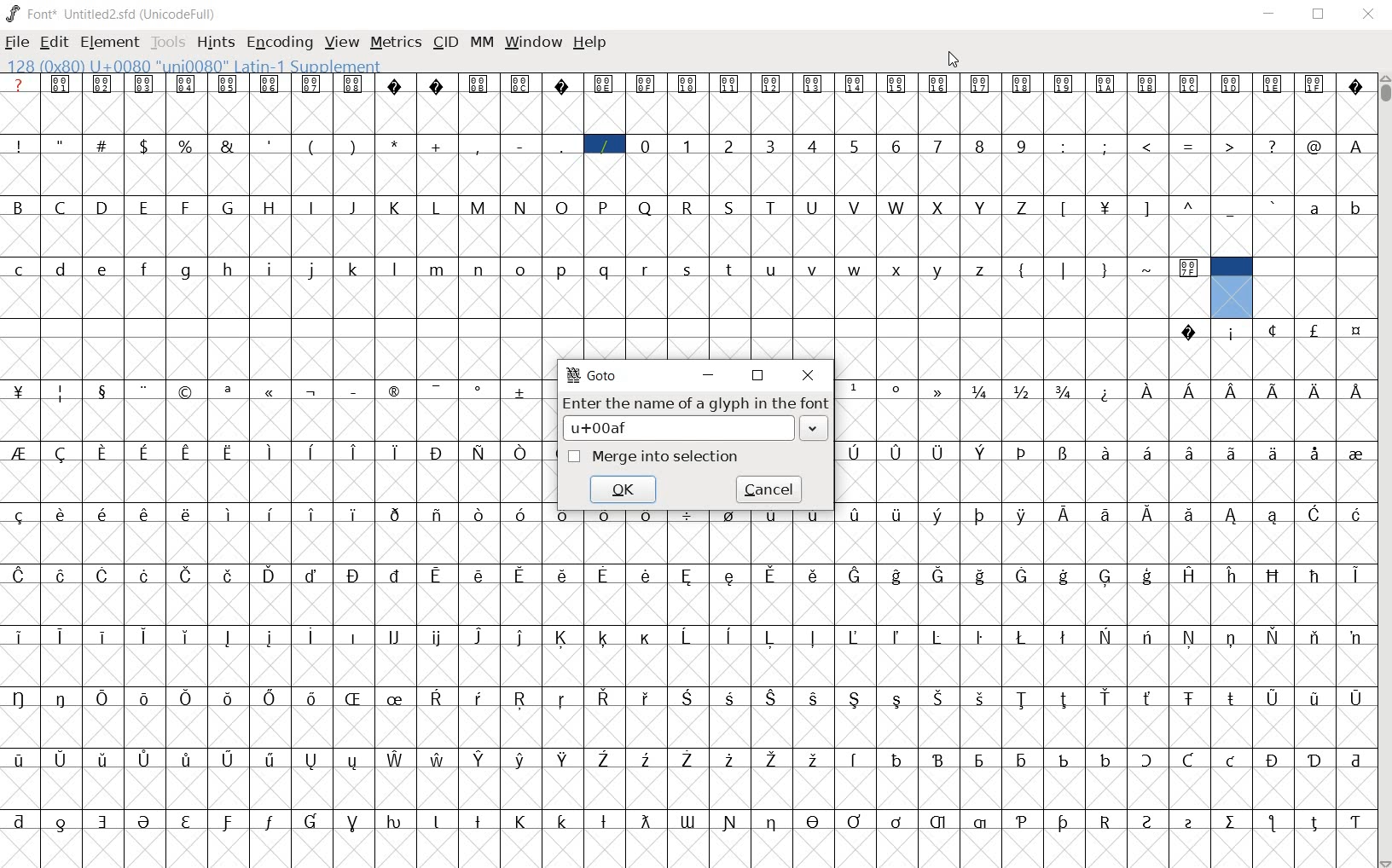 The image size is (1392, 868). I want to click on Symbol, so click(1023, 391).